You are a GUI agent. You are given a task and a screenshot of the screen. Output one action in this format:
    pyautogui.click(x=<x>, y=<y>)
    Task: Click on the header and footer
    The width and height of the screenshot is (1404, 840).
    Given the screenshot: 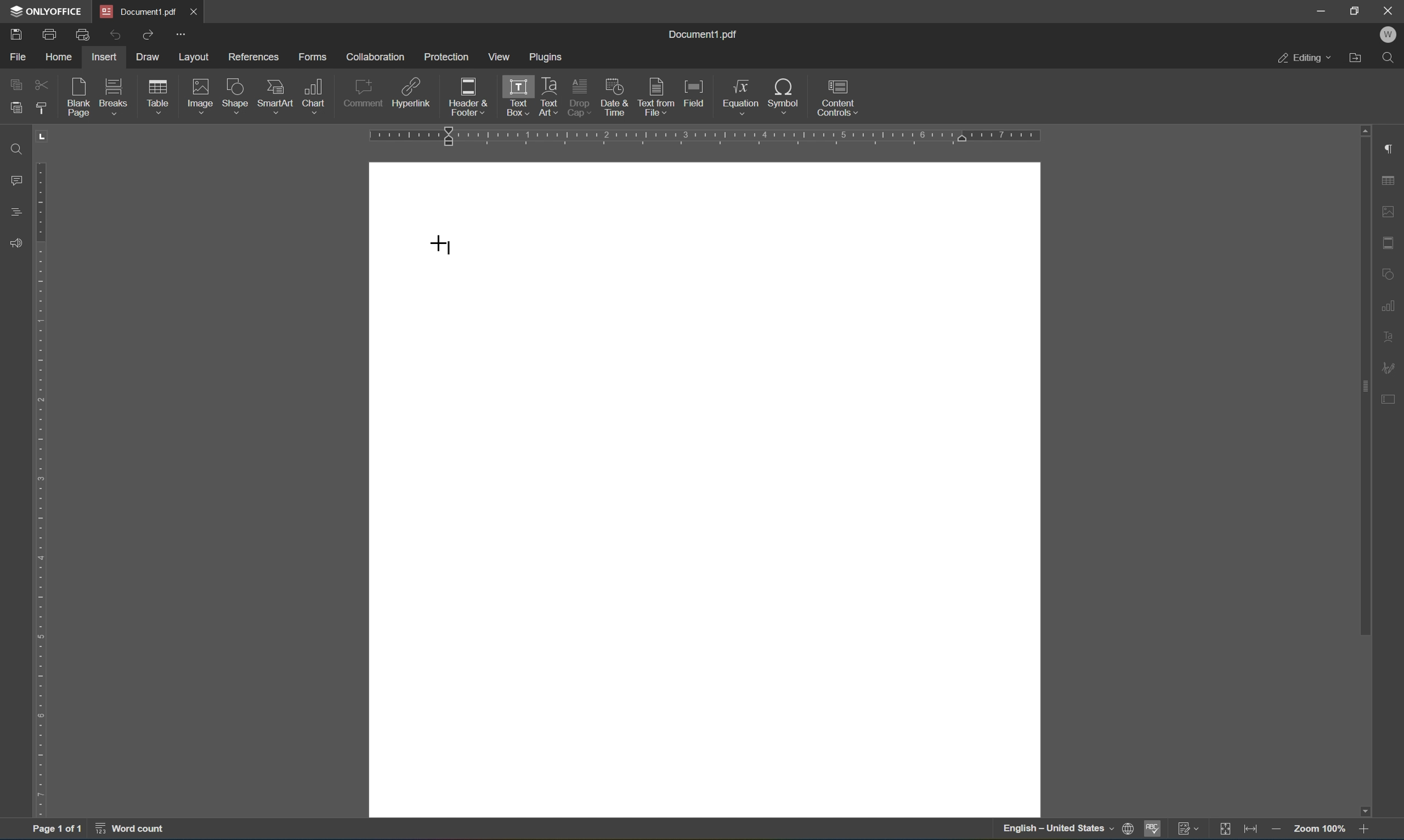 What is the action you would take?
    pyautogui.click(x=469, y=98)
    